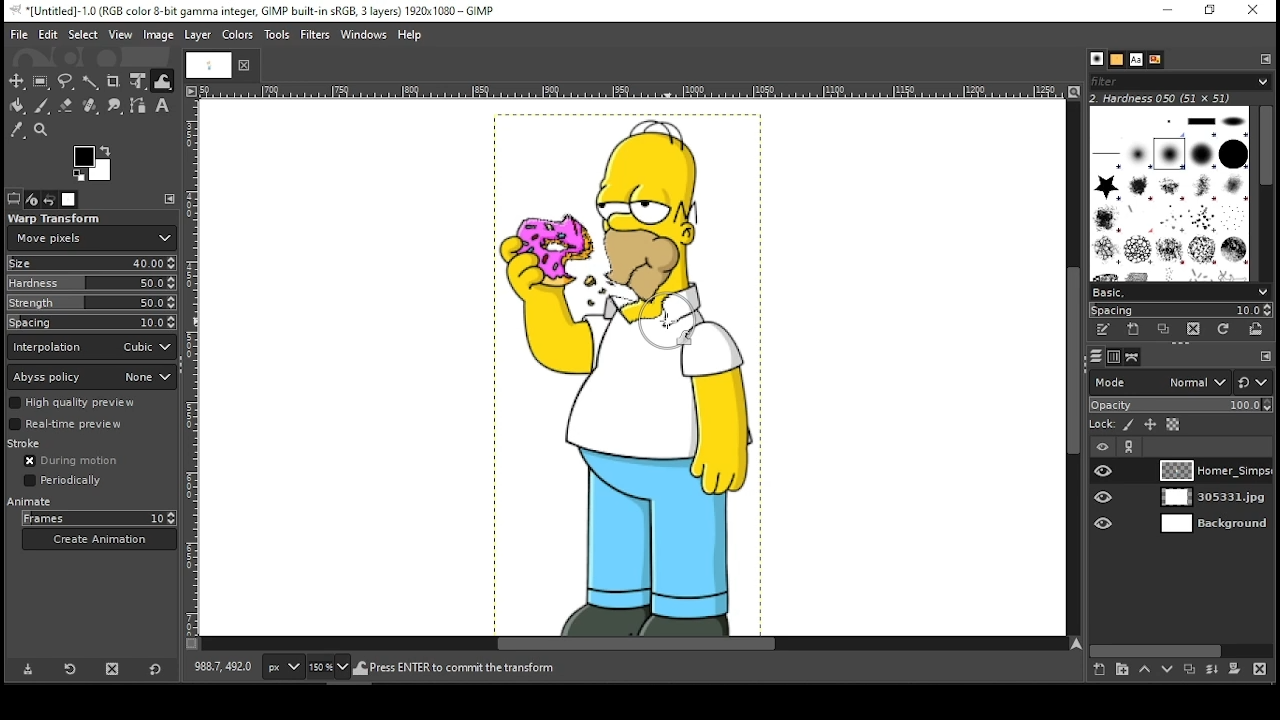  I want to click on filters, so click(315, 35).